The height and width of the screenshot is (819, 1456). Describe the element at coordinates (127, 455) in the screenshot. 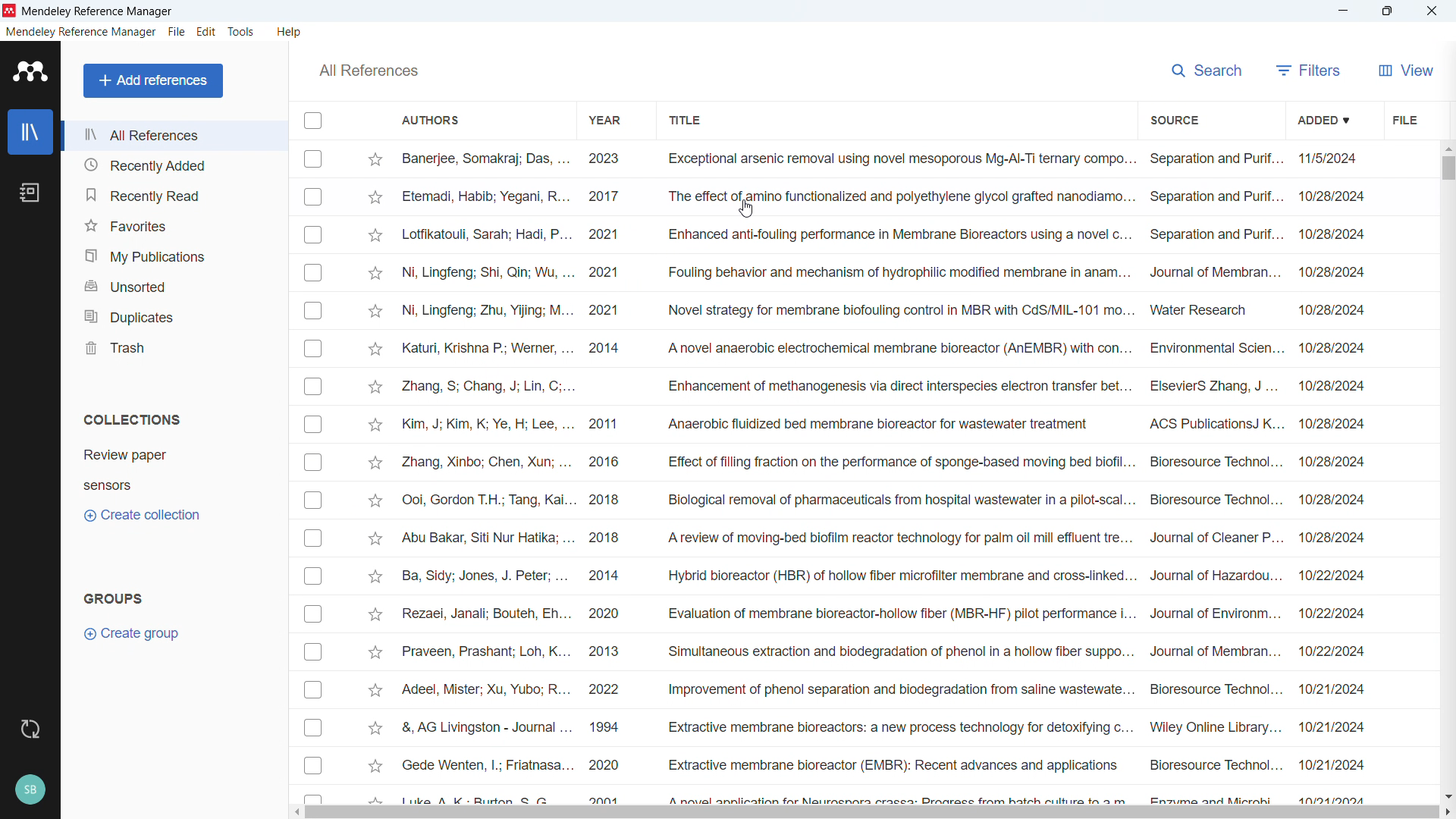

I see `Collection 1 ` at that location.